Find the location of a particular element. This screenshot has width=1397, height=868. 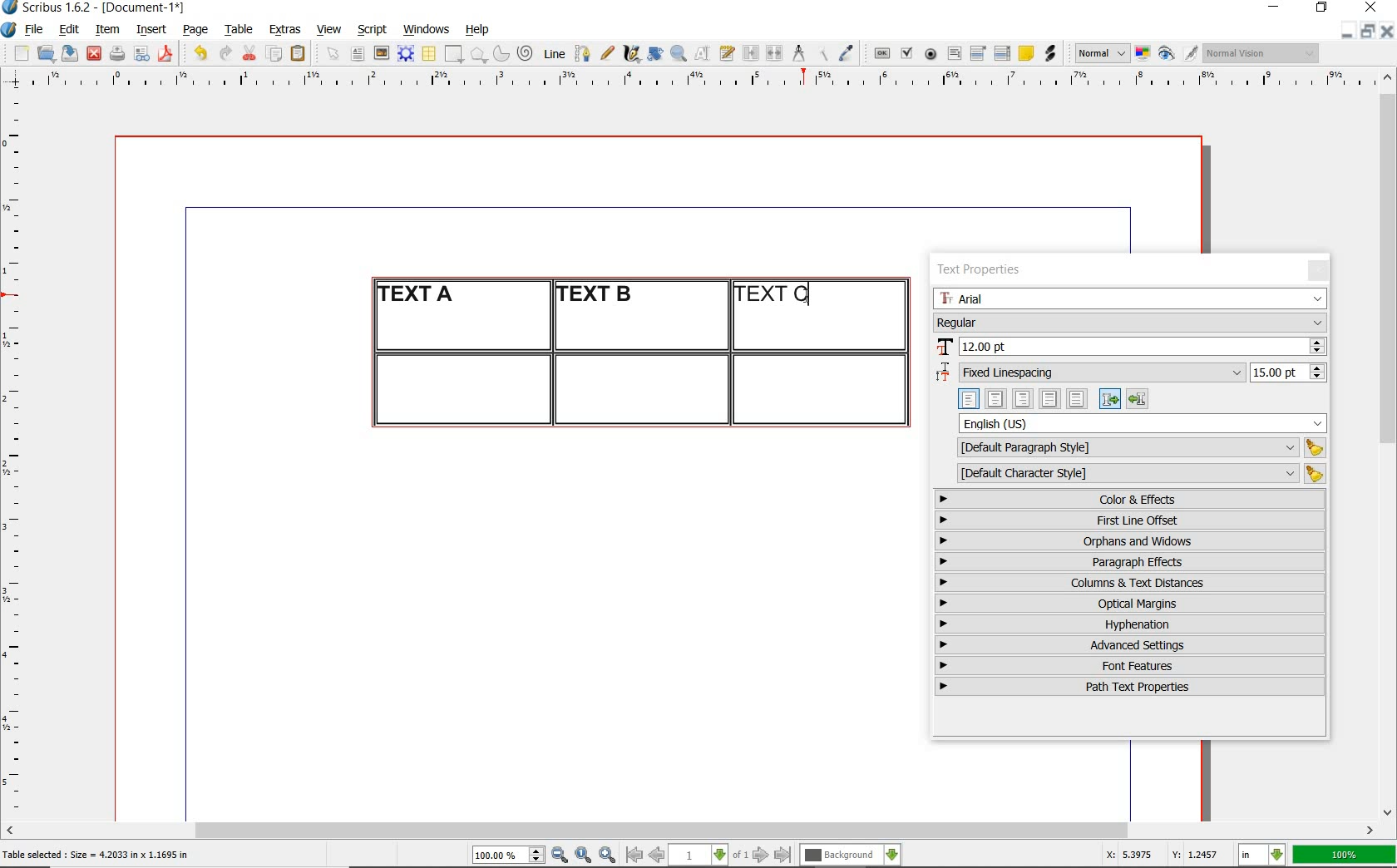

scrollbar is located at coordinates (1389, 443).